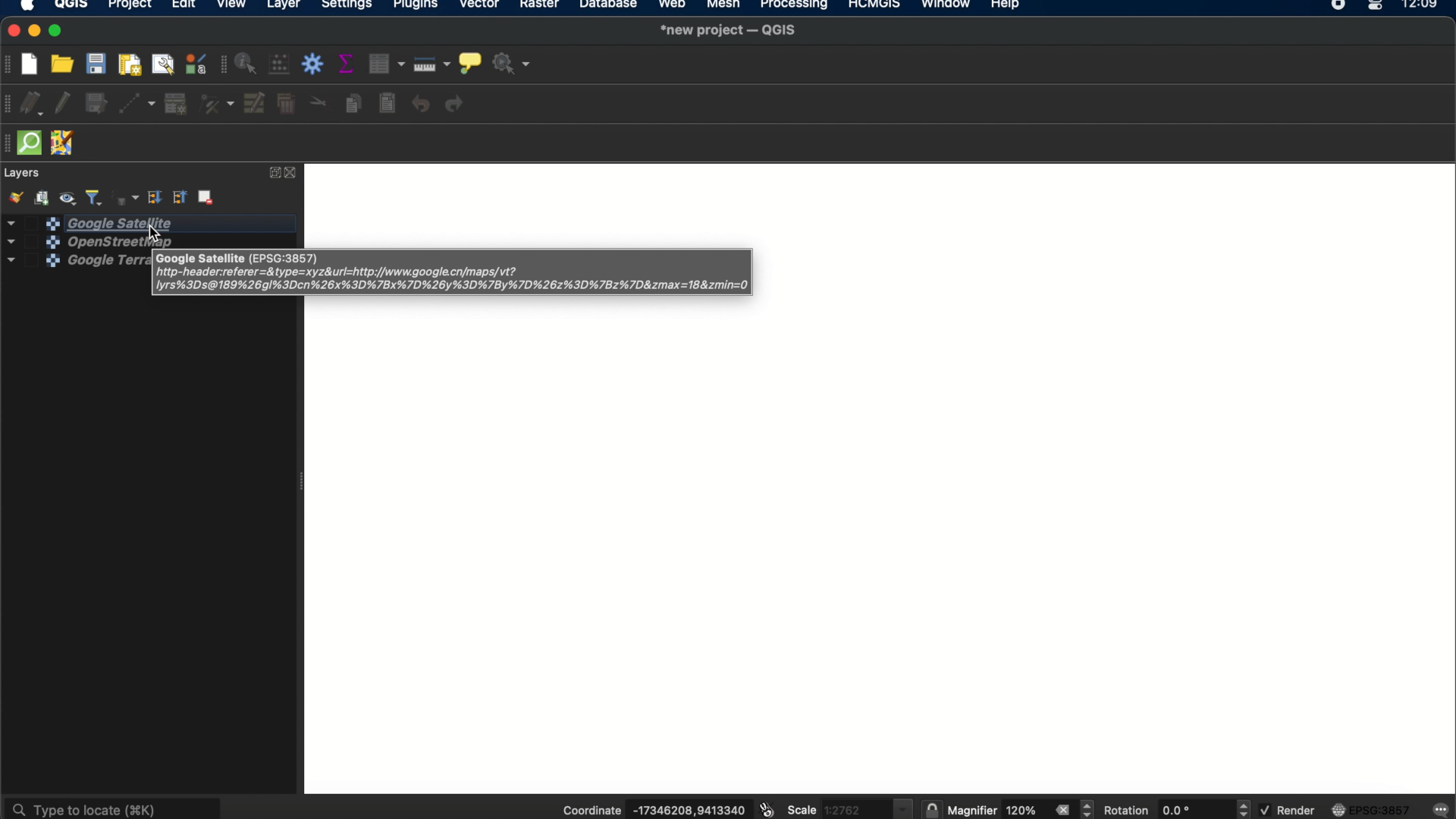 The height and width of the screenshot is (819, 1456). Describe the element at coordinates (284, 6) in the screenshot. I see `layer` at that location.